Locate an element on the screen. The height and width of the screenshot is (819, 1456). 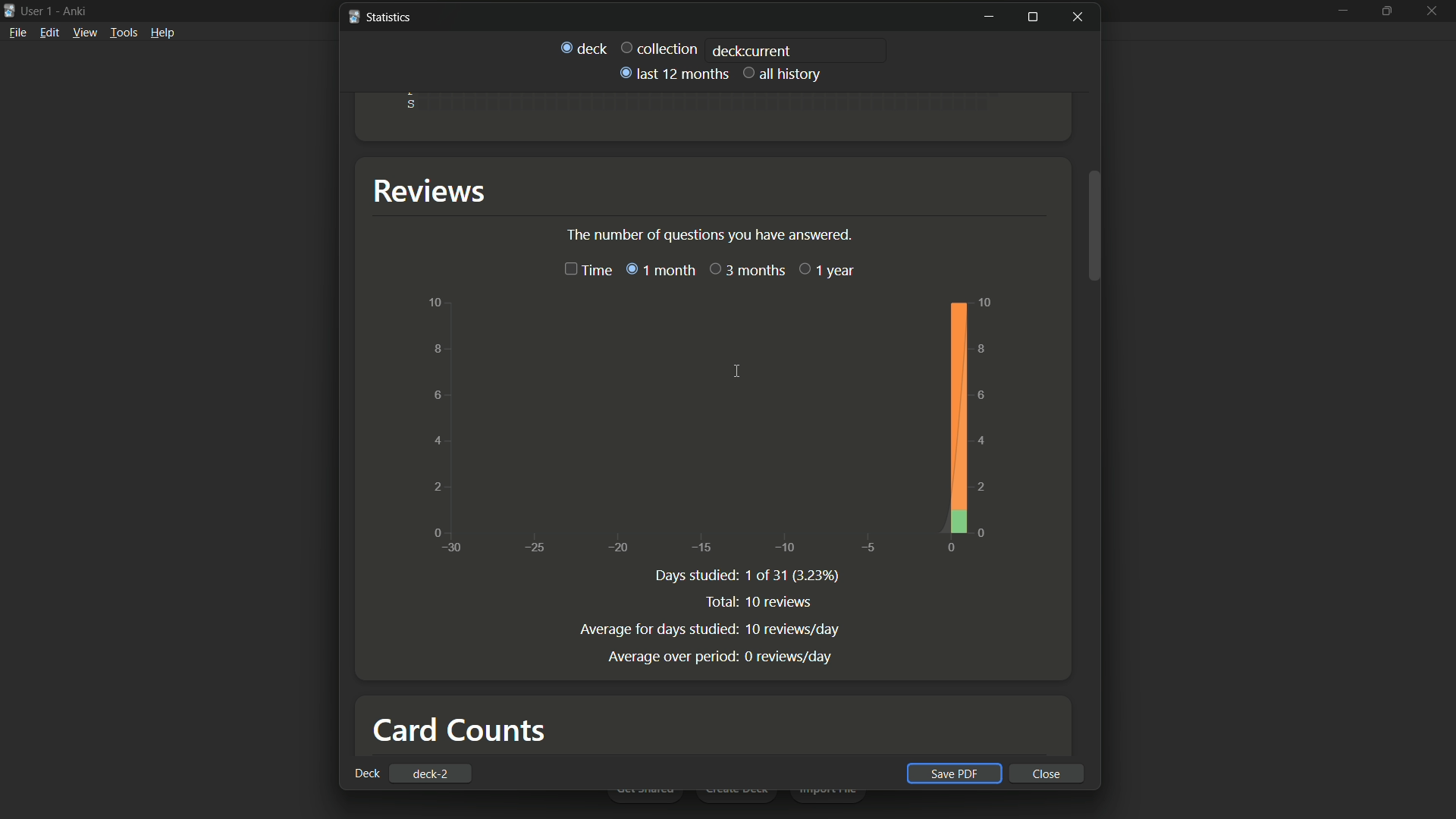
User 1 is located at coordinates (38, 10).